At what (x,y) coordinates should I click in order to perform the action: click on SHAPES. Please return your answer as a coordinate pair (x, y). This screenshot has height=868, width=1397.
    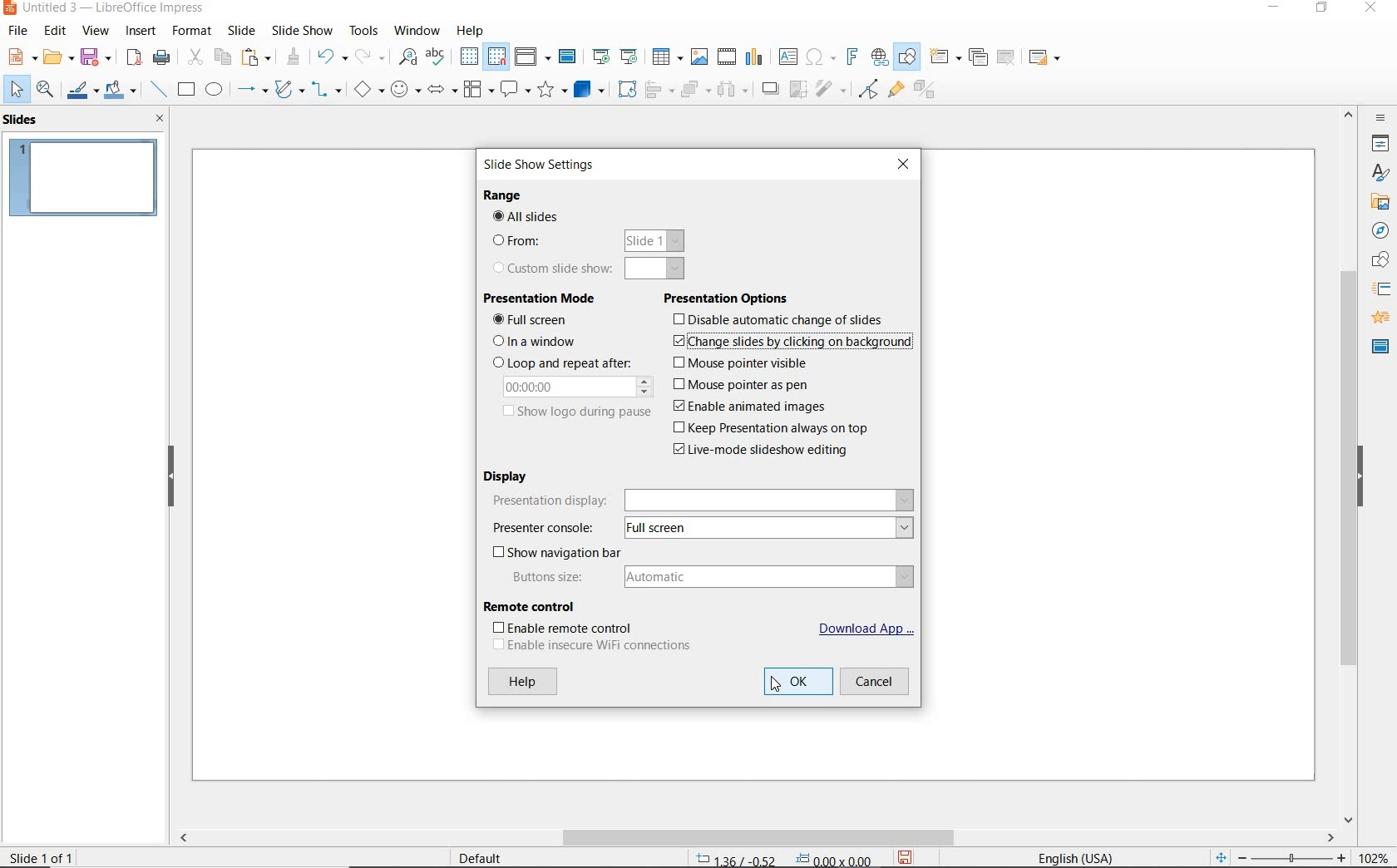
    Looking at the image, I should click on (1377, 262).